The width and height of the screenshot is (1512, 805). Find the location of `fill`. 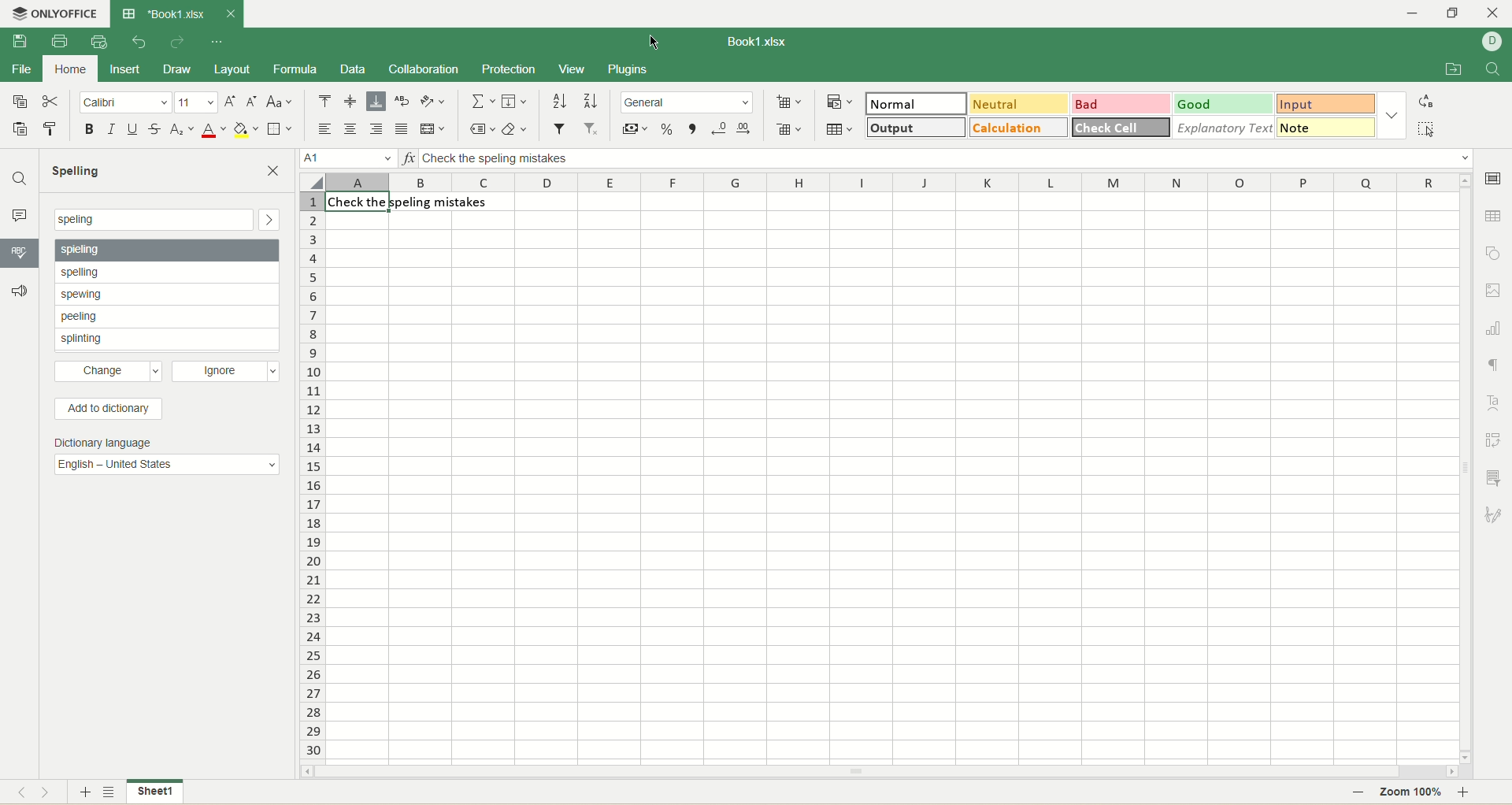

fill is located at coordinates (514, 100).